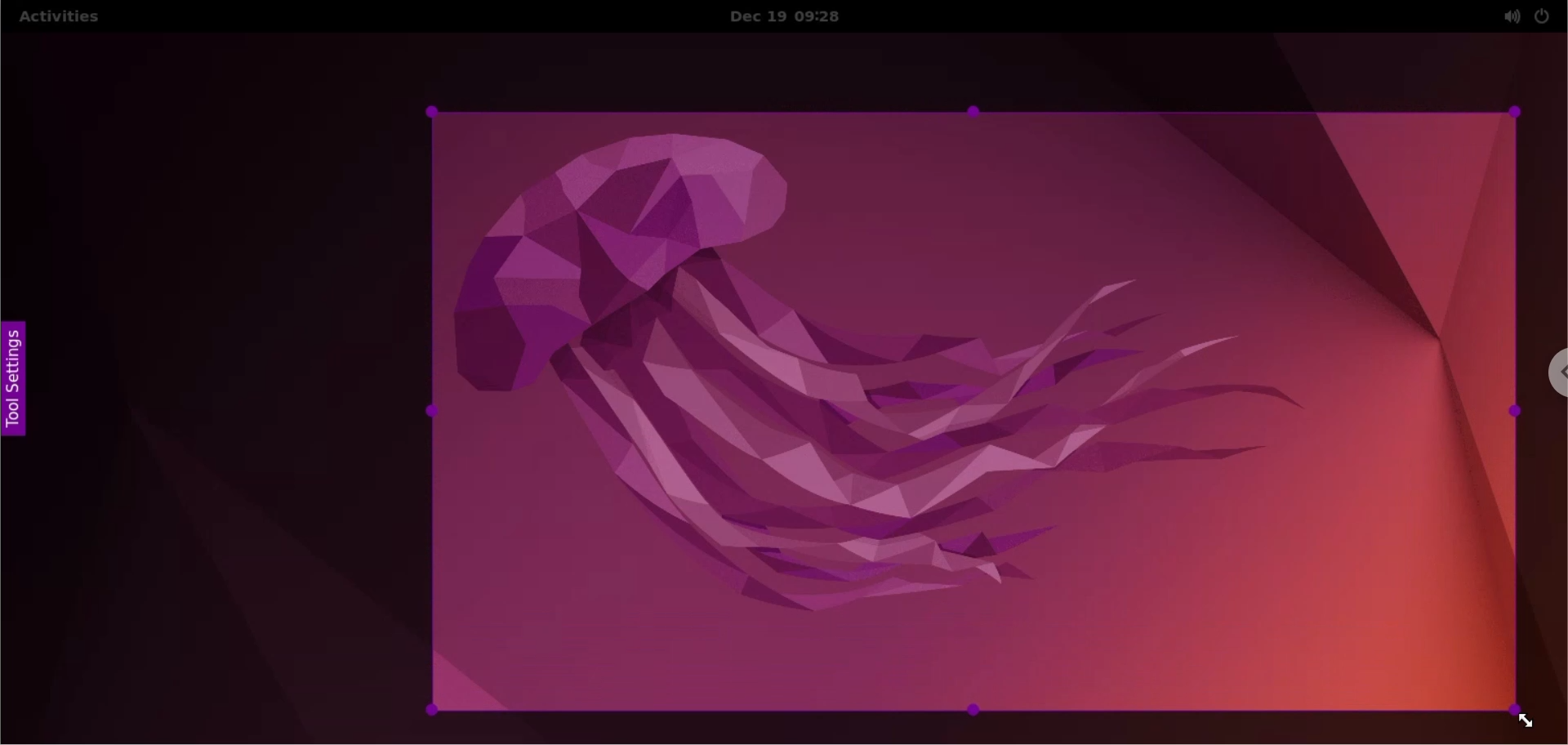 Image resolution: width=1568 pixels, height=745 pixels. I want to click on tool settings, so click(19, 384).